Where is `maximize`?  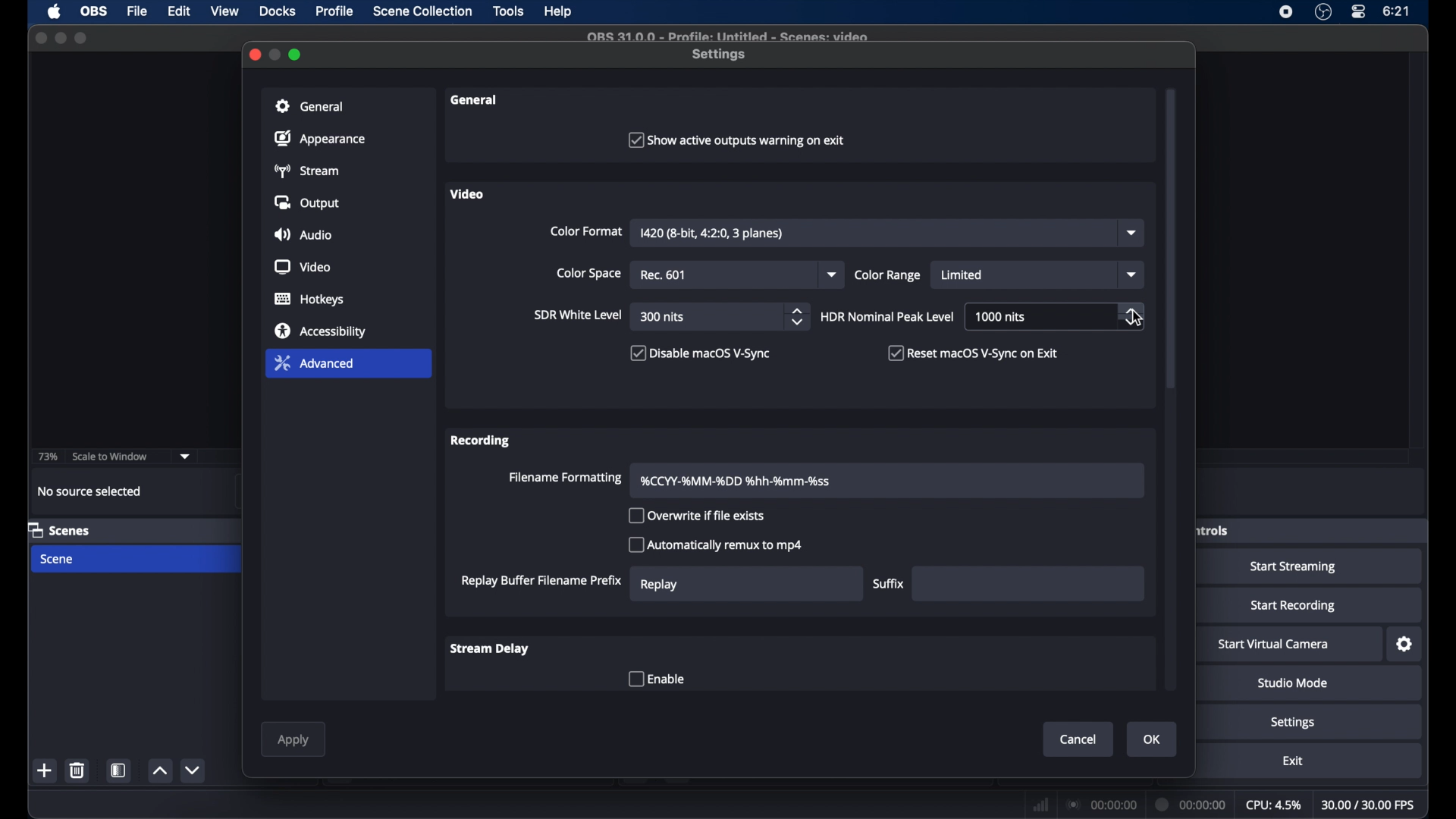
maximize is located at coordinates (82, 38).